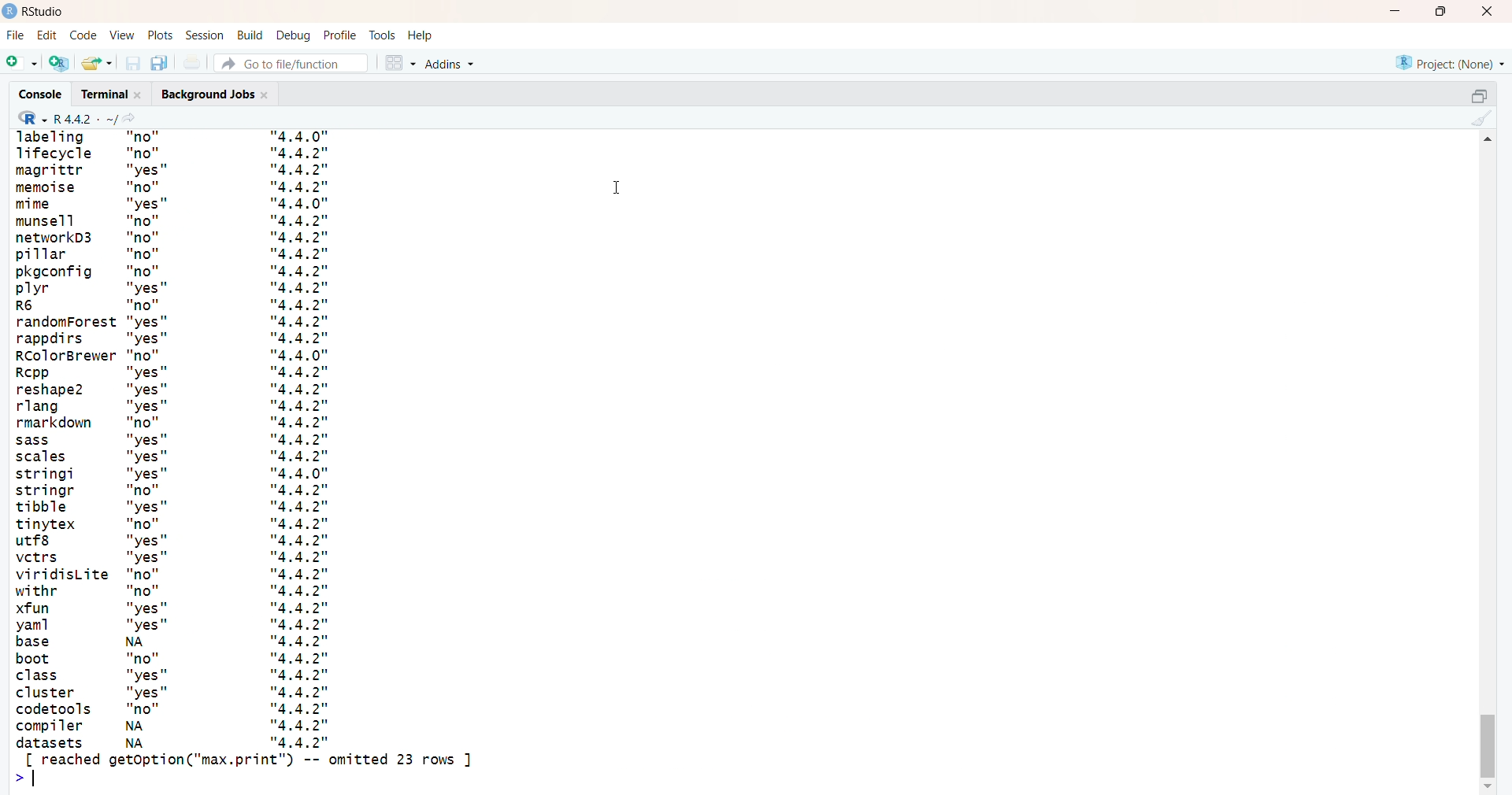  I want to click on installed packages, so click(246, 462).